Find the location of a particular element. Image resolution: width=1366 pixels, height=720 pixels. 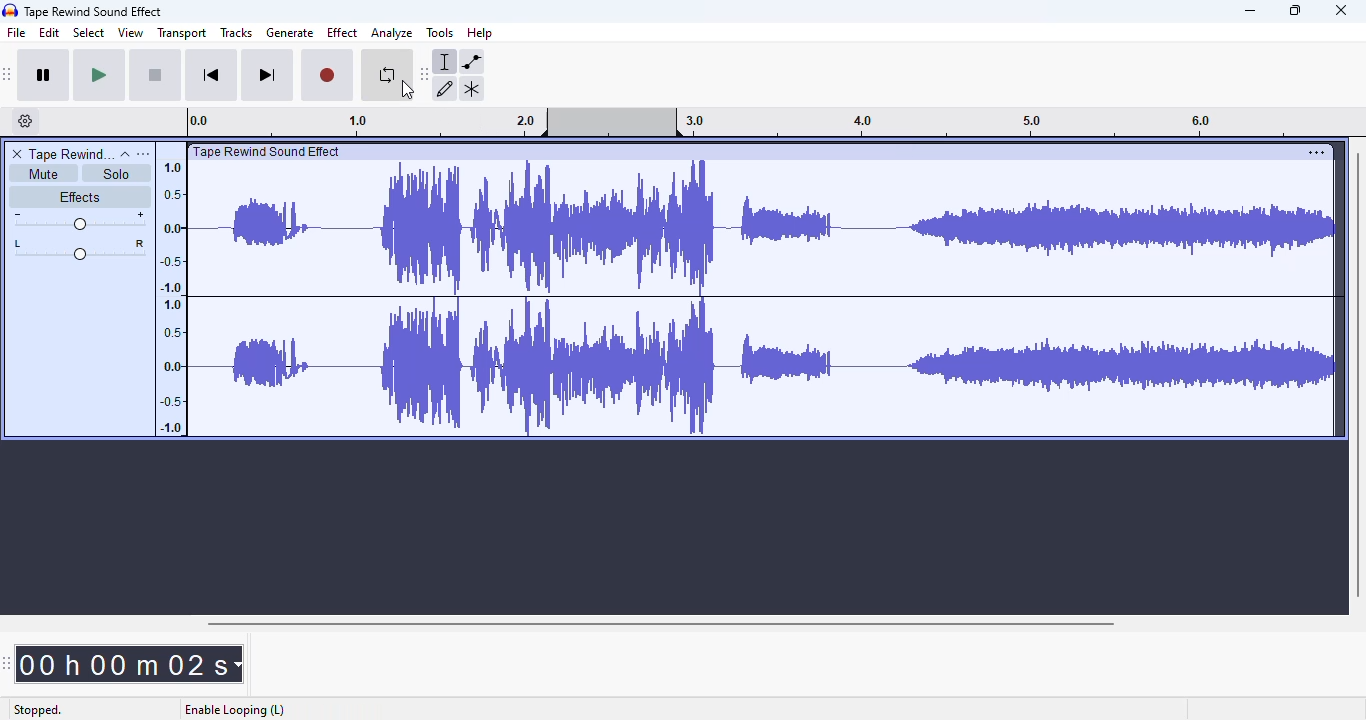

0.0 1.0 2.0 is located at coordinates (365, 122).